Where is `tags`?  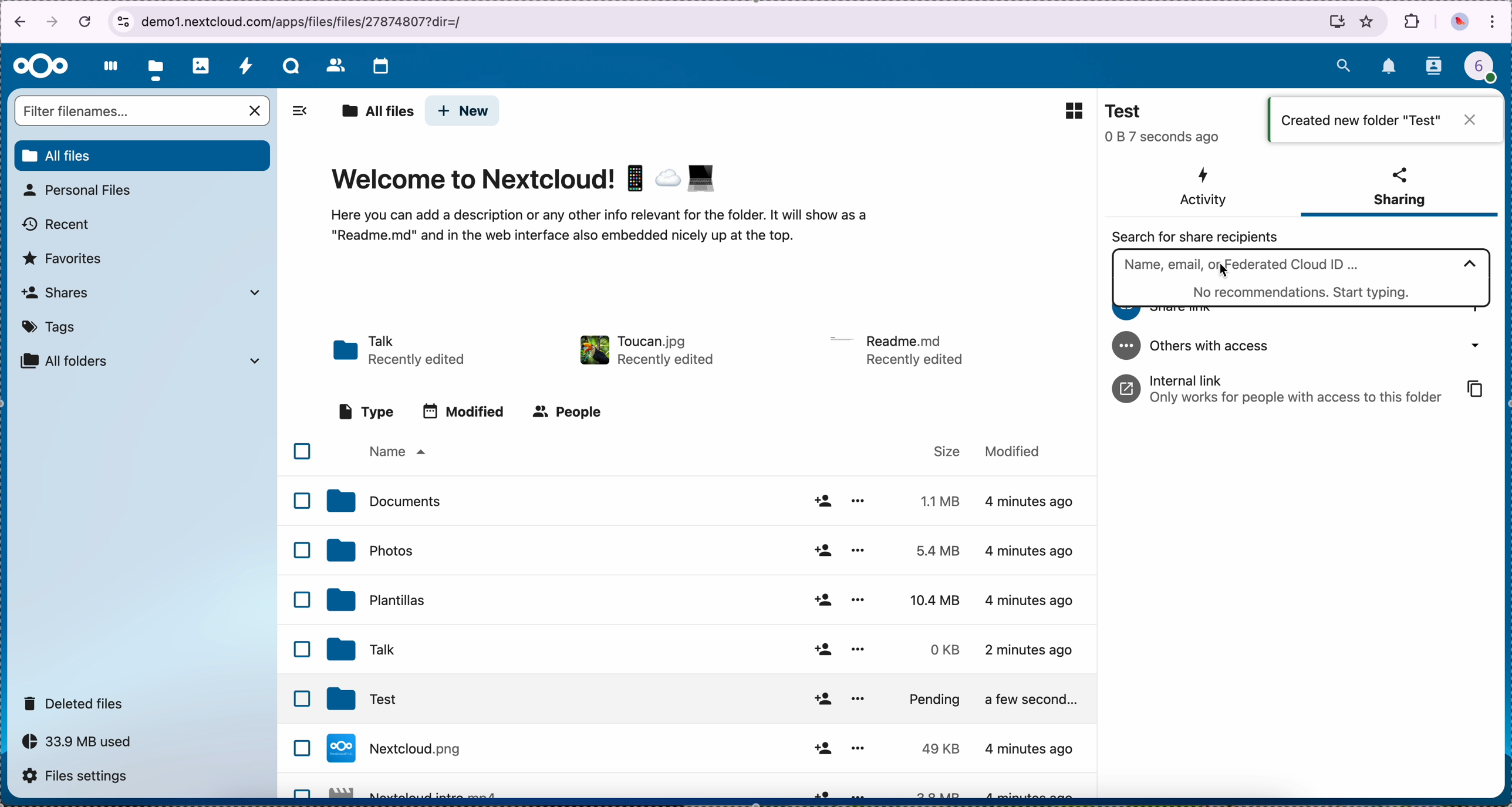
tags is located at coordinates (50, 327).